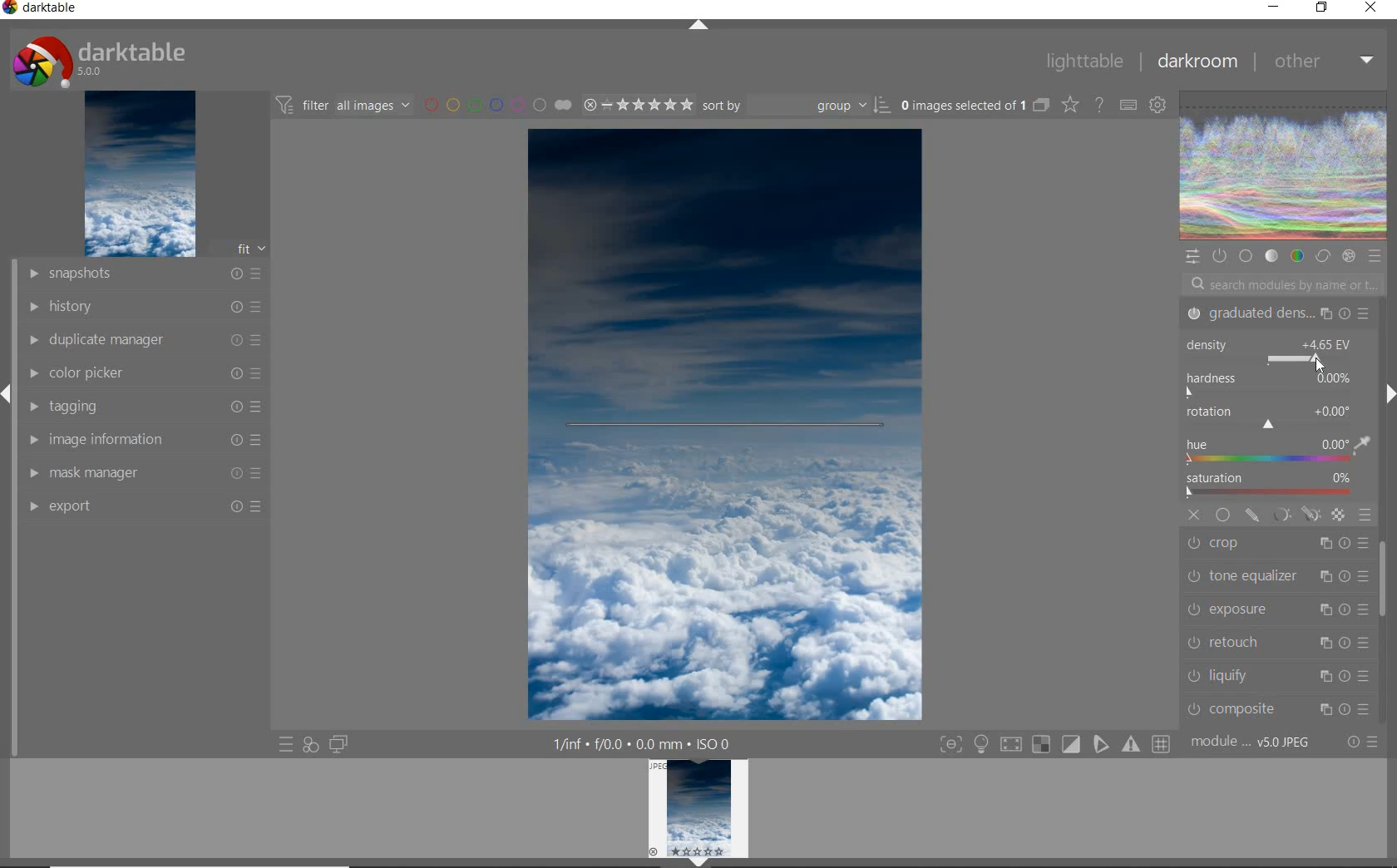  Describe the element at coordinates (1278, 545) in the screenshot. I see `crop` at that location.